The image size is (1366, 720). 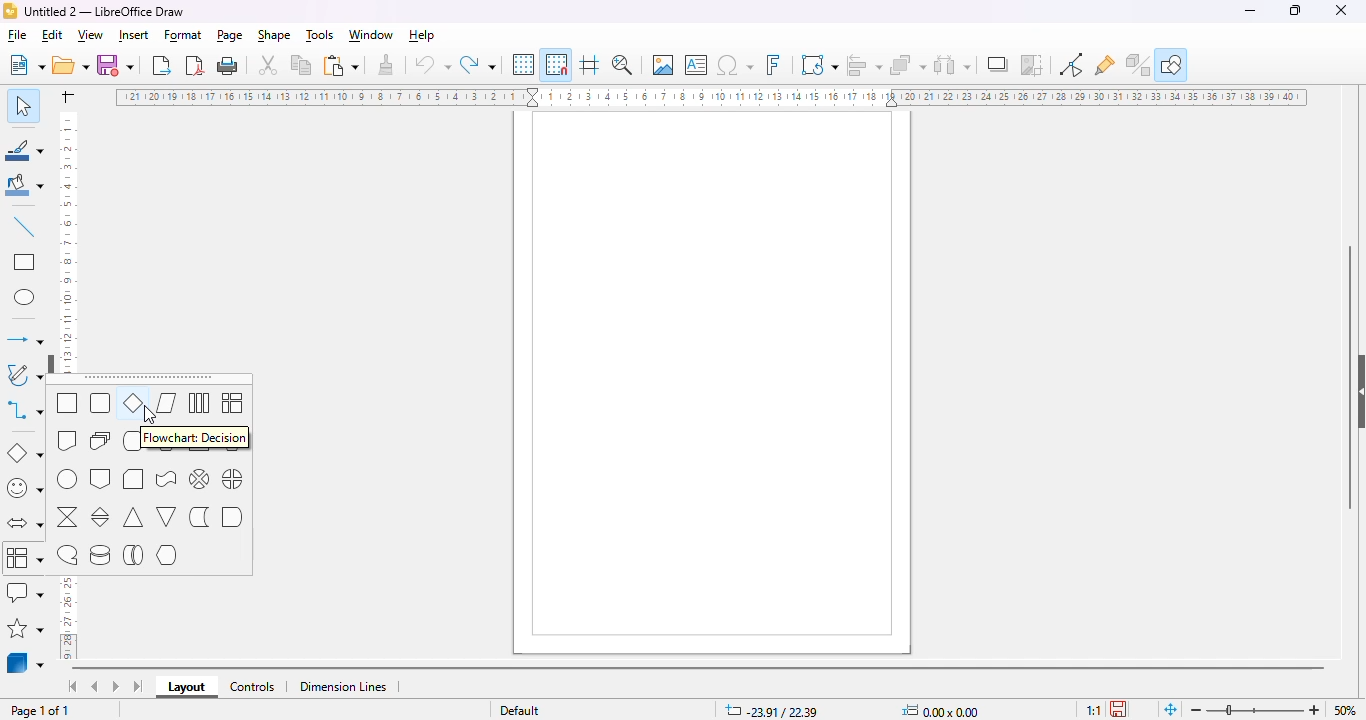 I want to click on flowchart: internal storage, so click(x=234, y=403).